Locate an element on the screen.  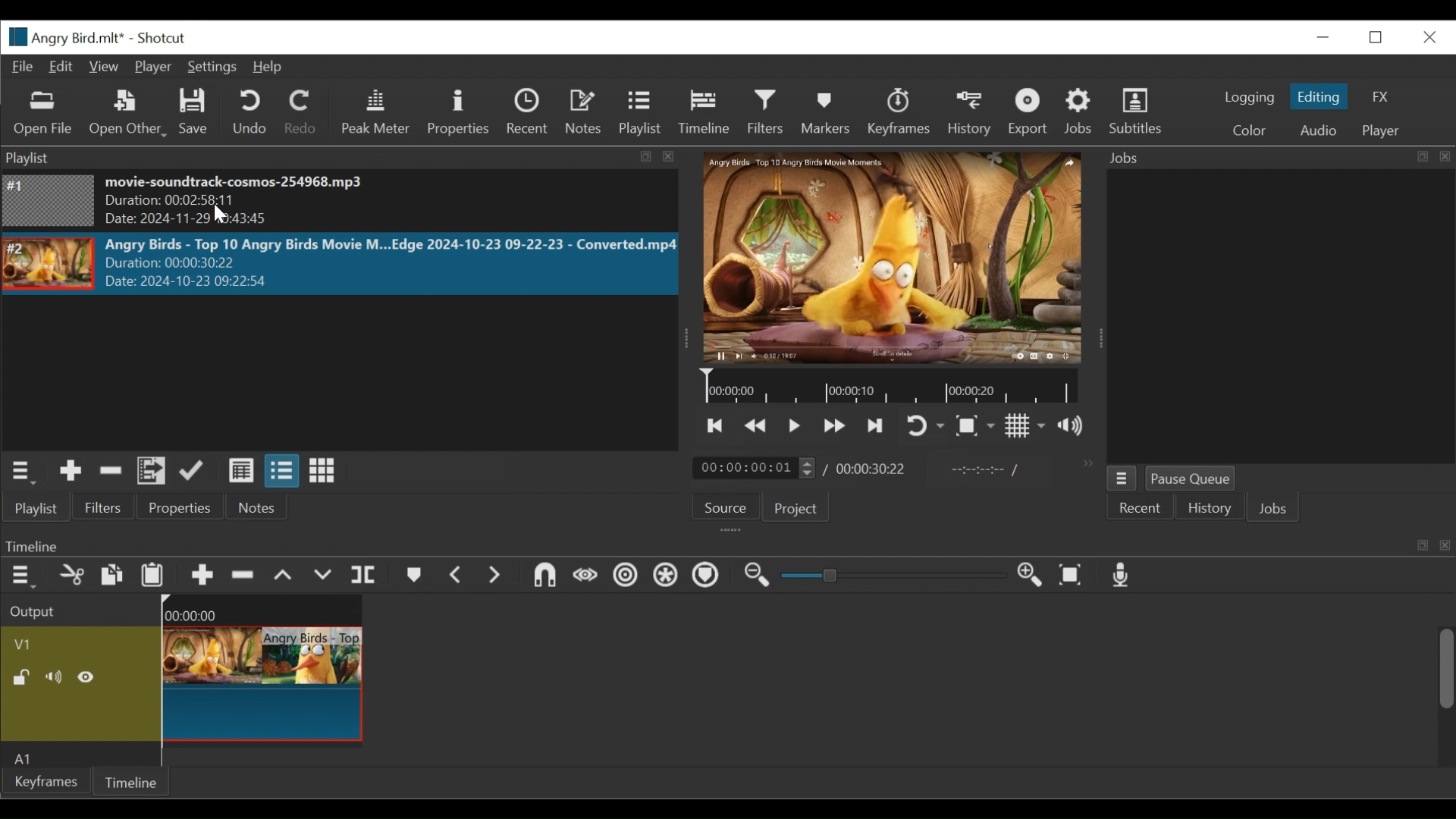
Redo is located at coordinates (303, 112).